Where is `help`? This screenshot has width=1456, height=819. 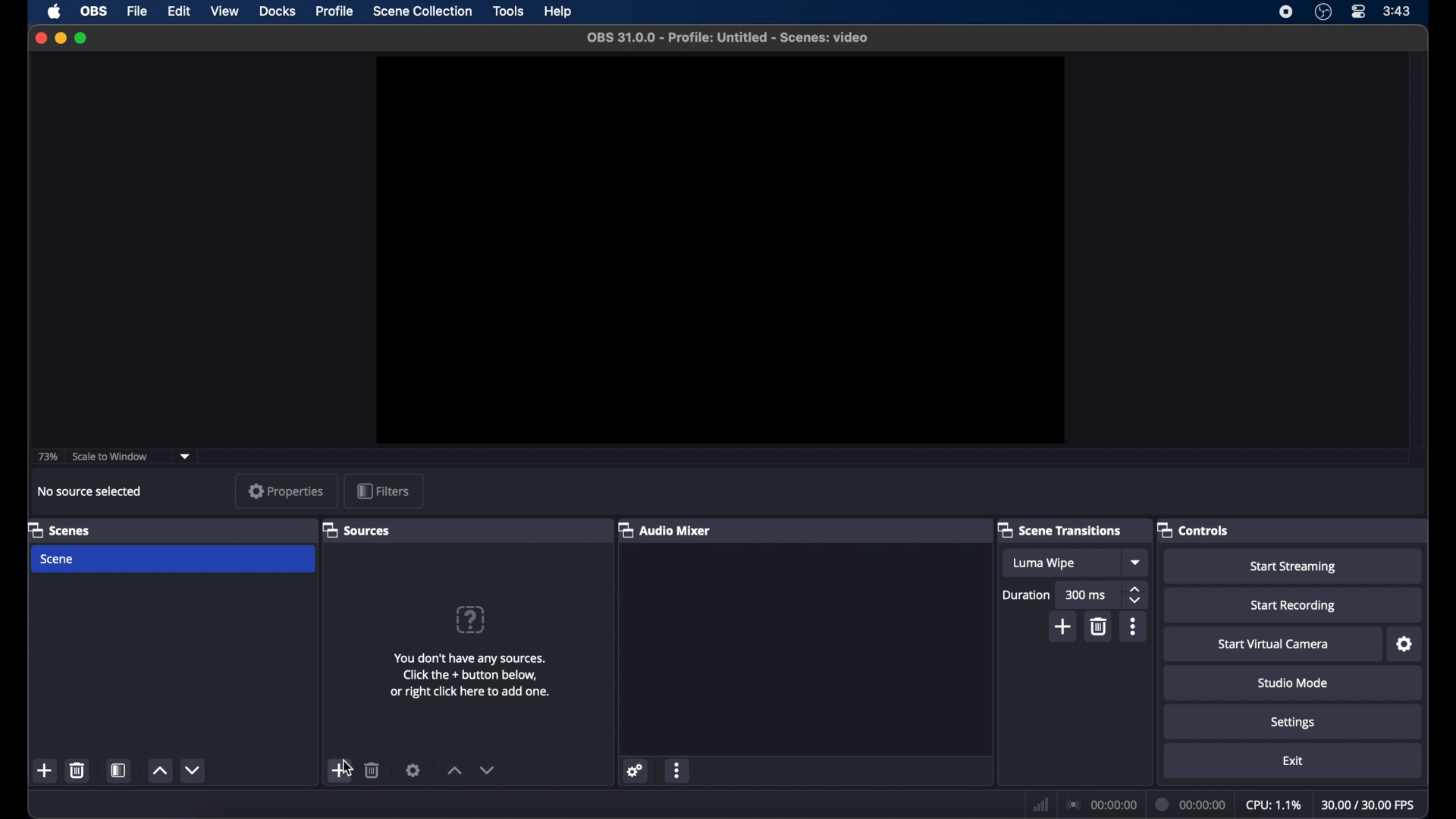 help is located at coordinates (560, 12).